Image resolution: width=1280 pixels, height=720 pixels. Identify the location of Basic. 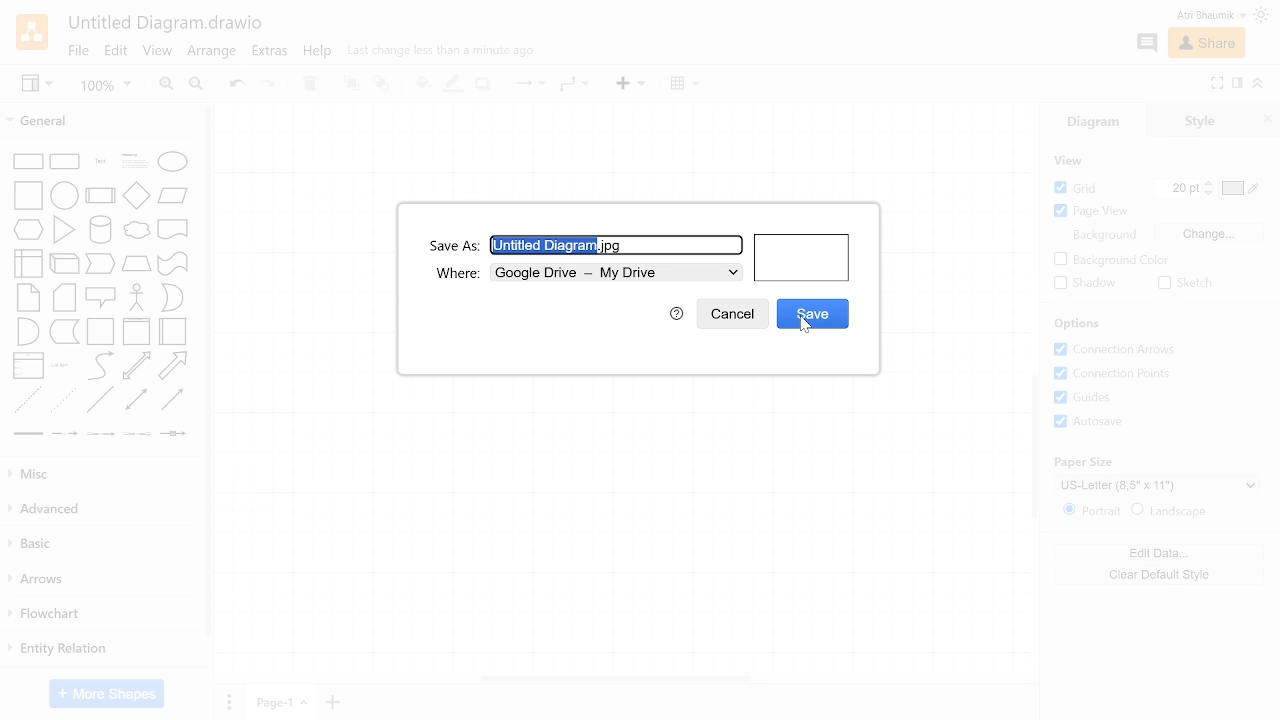
(102, 542).